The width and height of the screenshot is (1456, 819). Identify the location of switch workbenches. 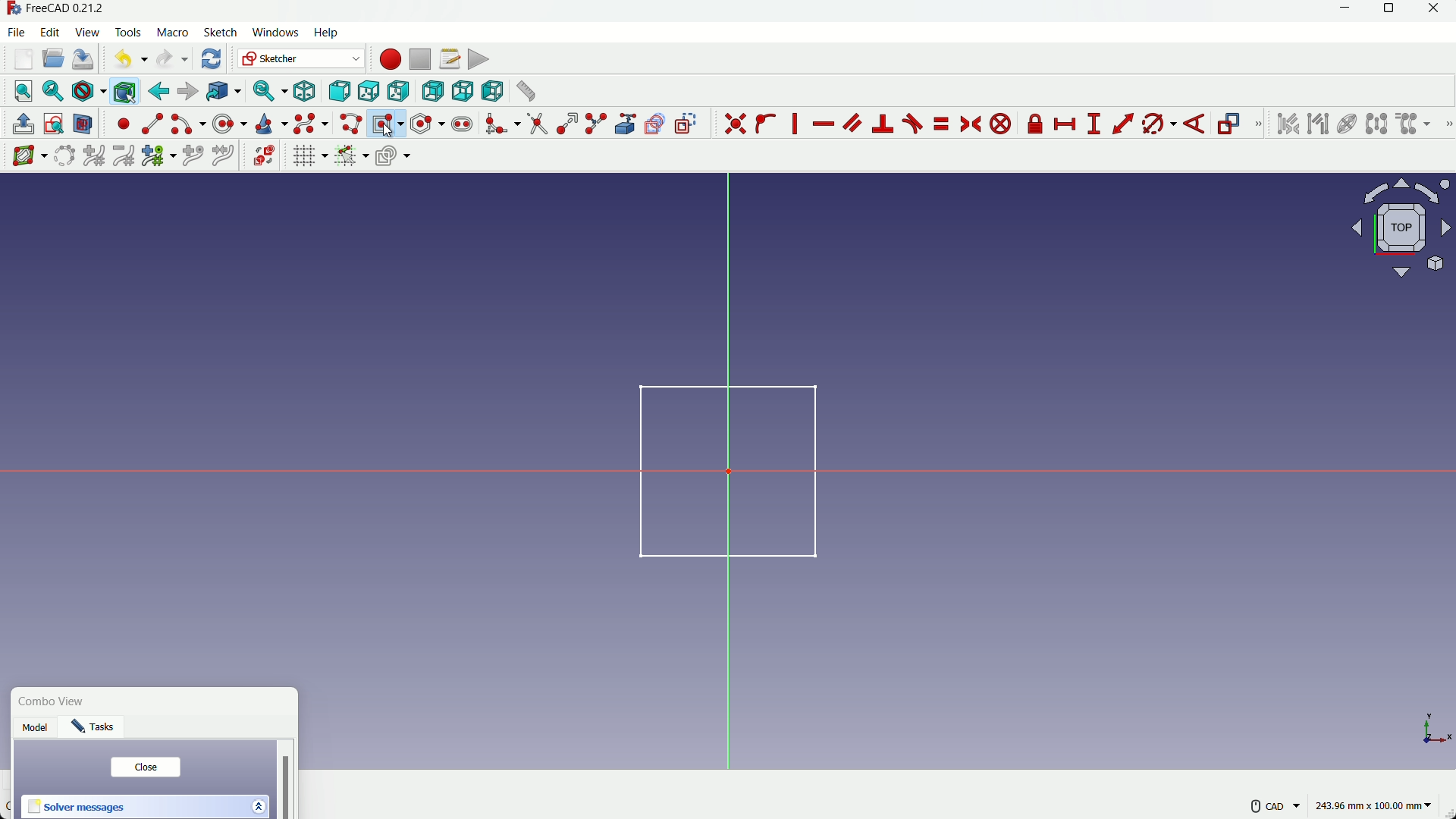
(300, 58).